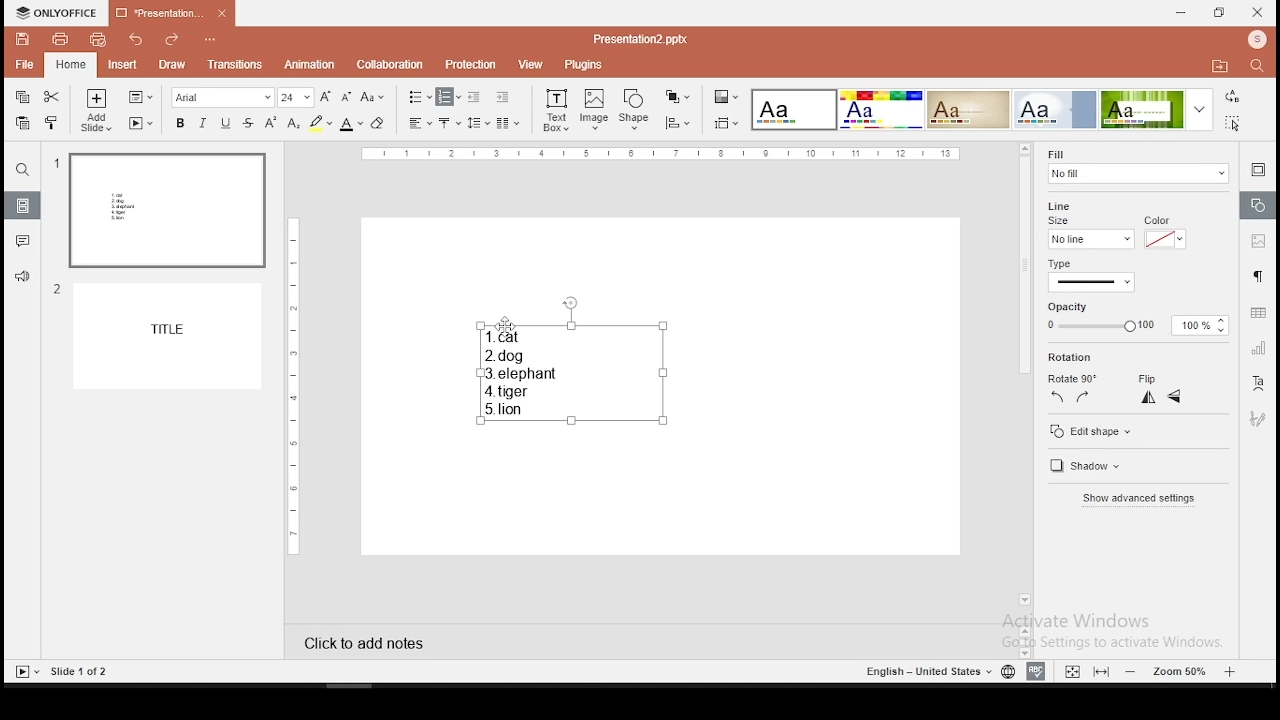 The width and height of the screenshot is (1280, 720). I want to click on start slideshow, so click(141, 123).